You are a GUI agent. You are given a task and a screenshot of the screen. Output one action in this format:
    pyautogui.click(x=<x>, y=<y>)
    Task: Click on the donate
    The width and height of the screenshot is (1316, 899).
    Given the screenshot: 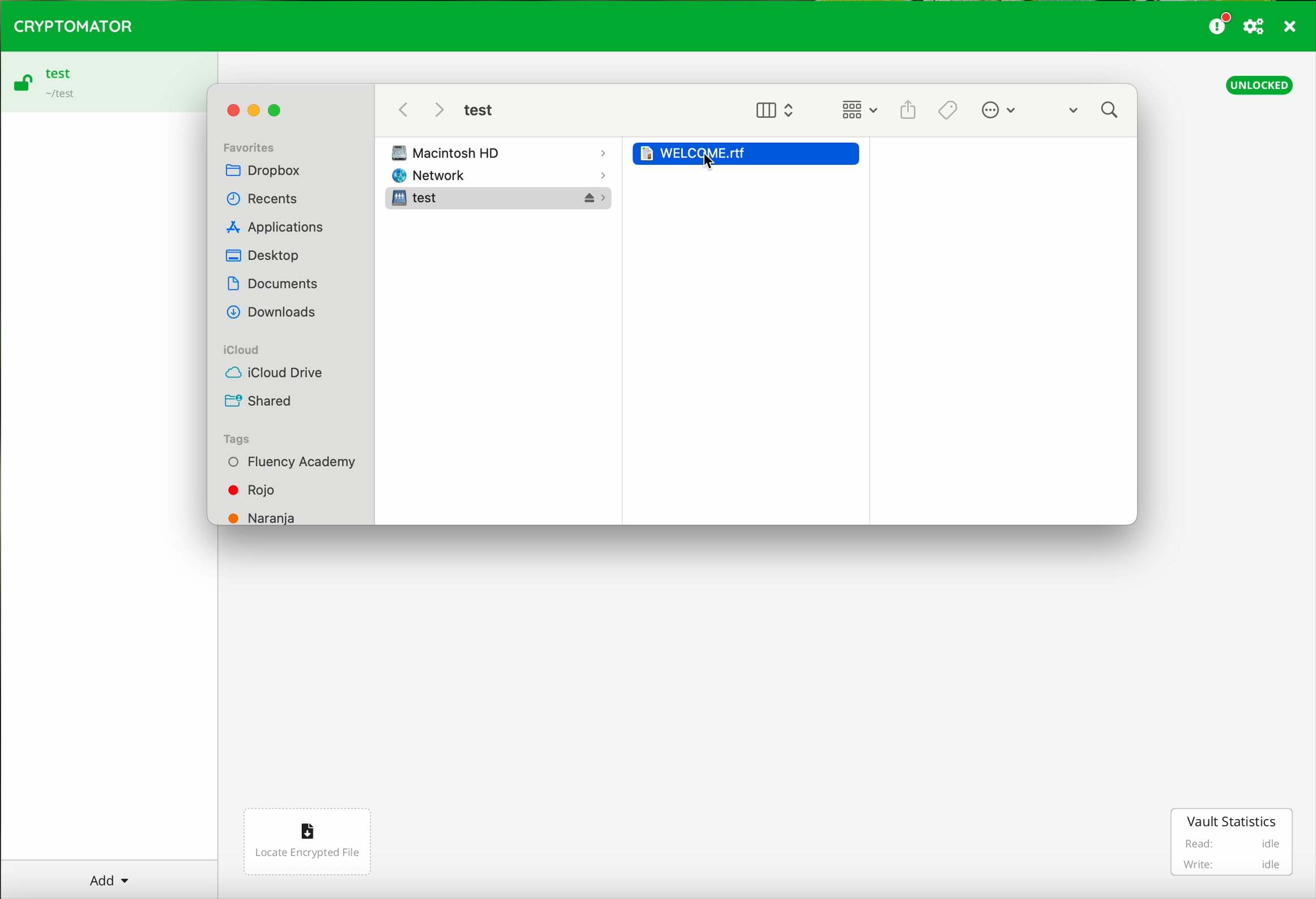 What is the action you would take?
    pyautogui.click(x=1220, y=23)
    